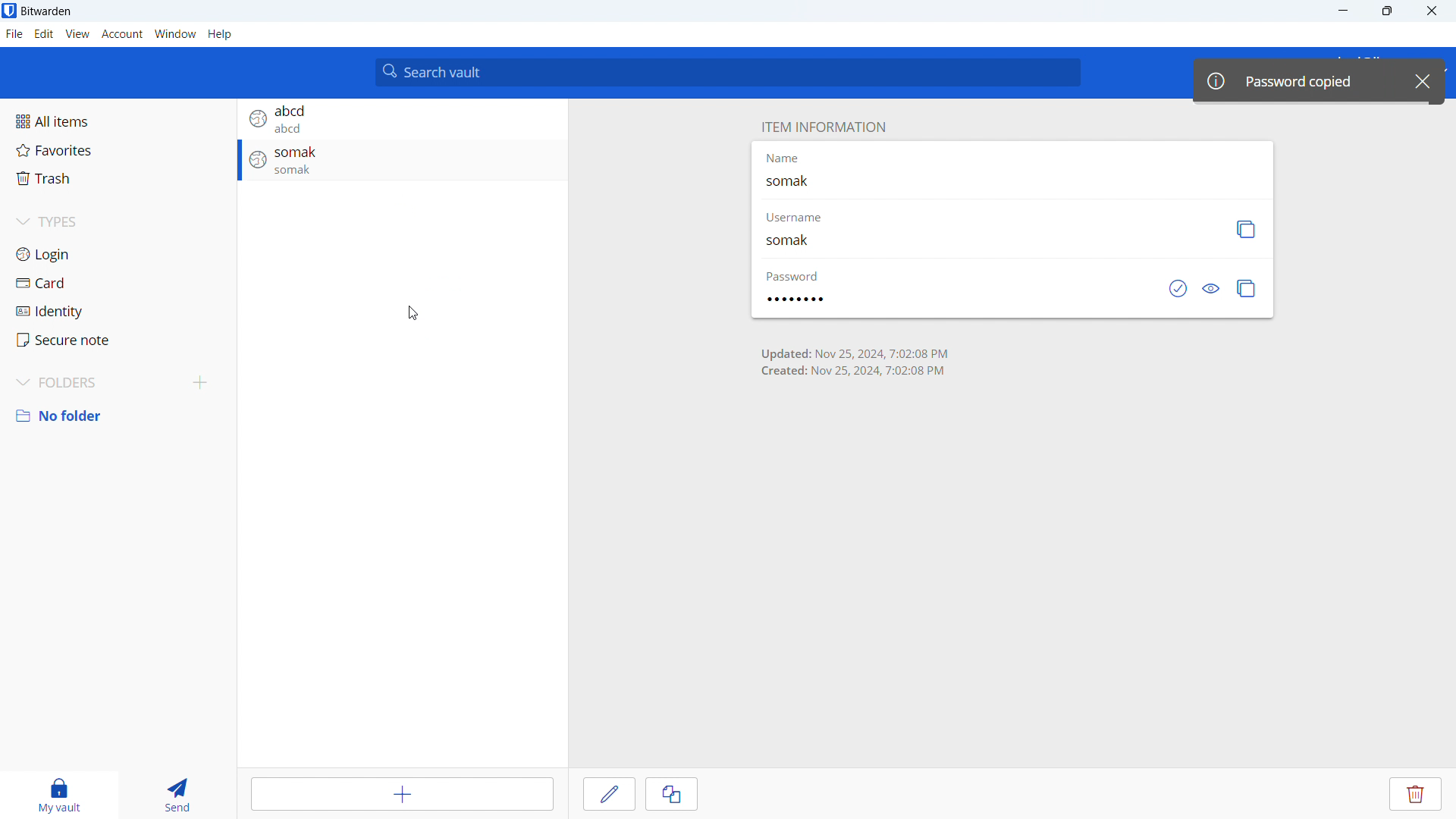 The image size is (1456, 819). What do you see at coordinates (402, 794) in the screenshot?
I see `add item` at bounding box center [402, 794].